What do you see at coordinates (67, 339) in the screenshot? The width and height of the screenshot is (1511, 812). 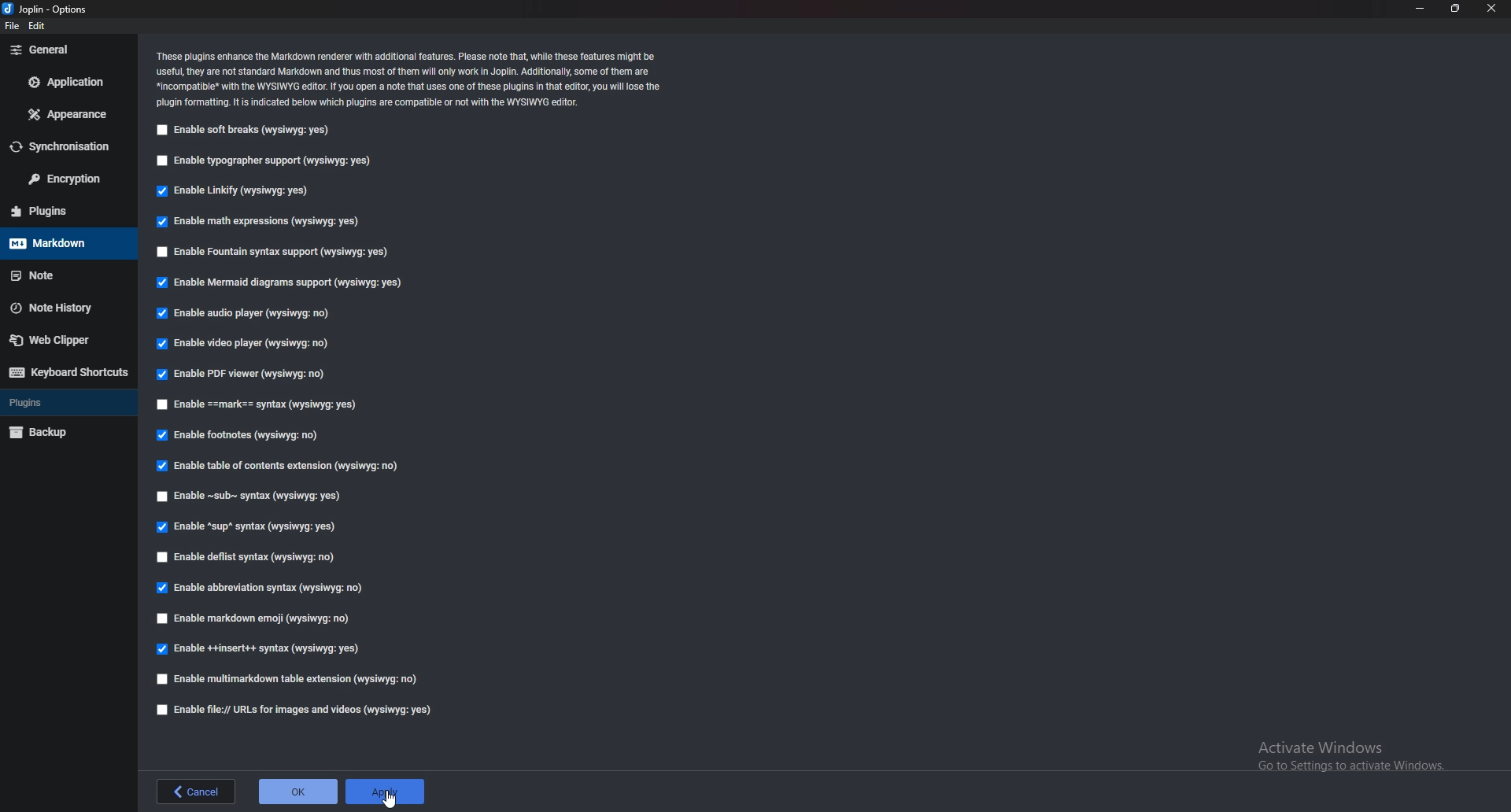 I see `Webclipper` at bounding box center [67, 339].